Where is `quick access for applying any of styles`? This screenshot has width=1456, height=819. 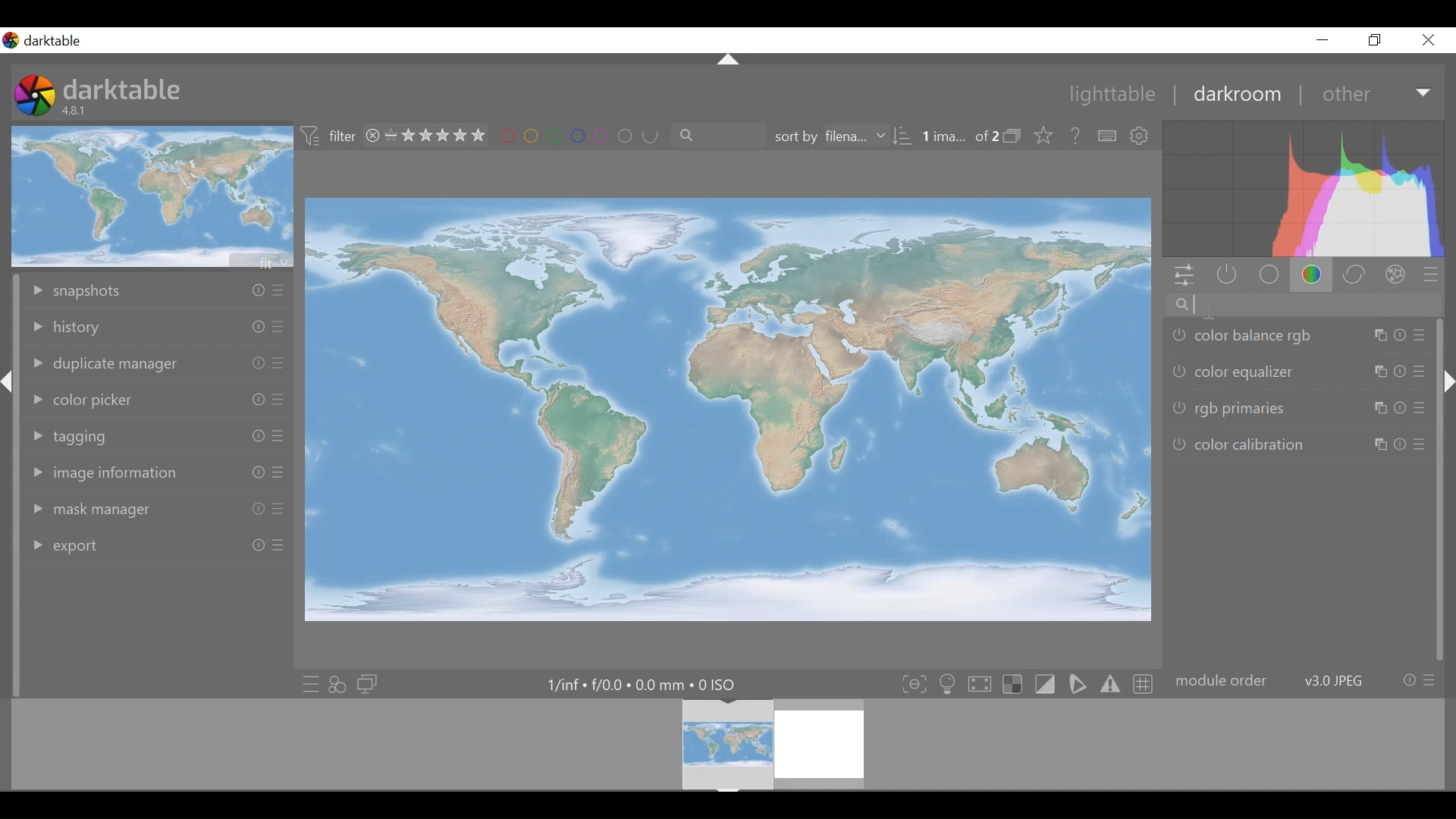 quick access for applying any of styles is located at coordinates (337, 682).